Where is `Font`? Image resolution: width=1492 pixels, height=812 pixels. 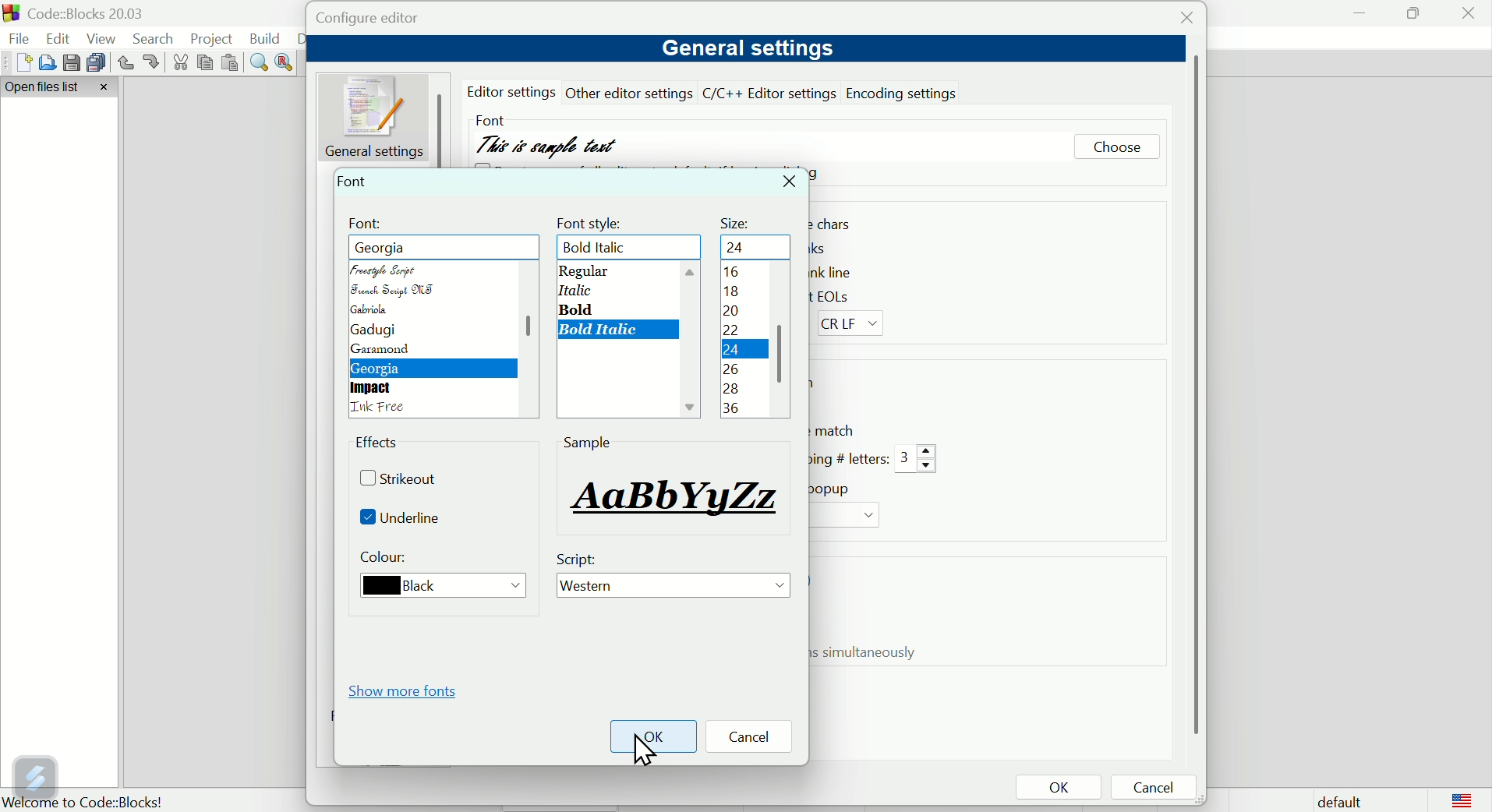 Font is located at coordinates (367, 224).